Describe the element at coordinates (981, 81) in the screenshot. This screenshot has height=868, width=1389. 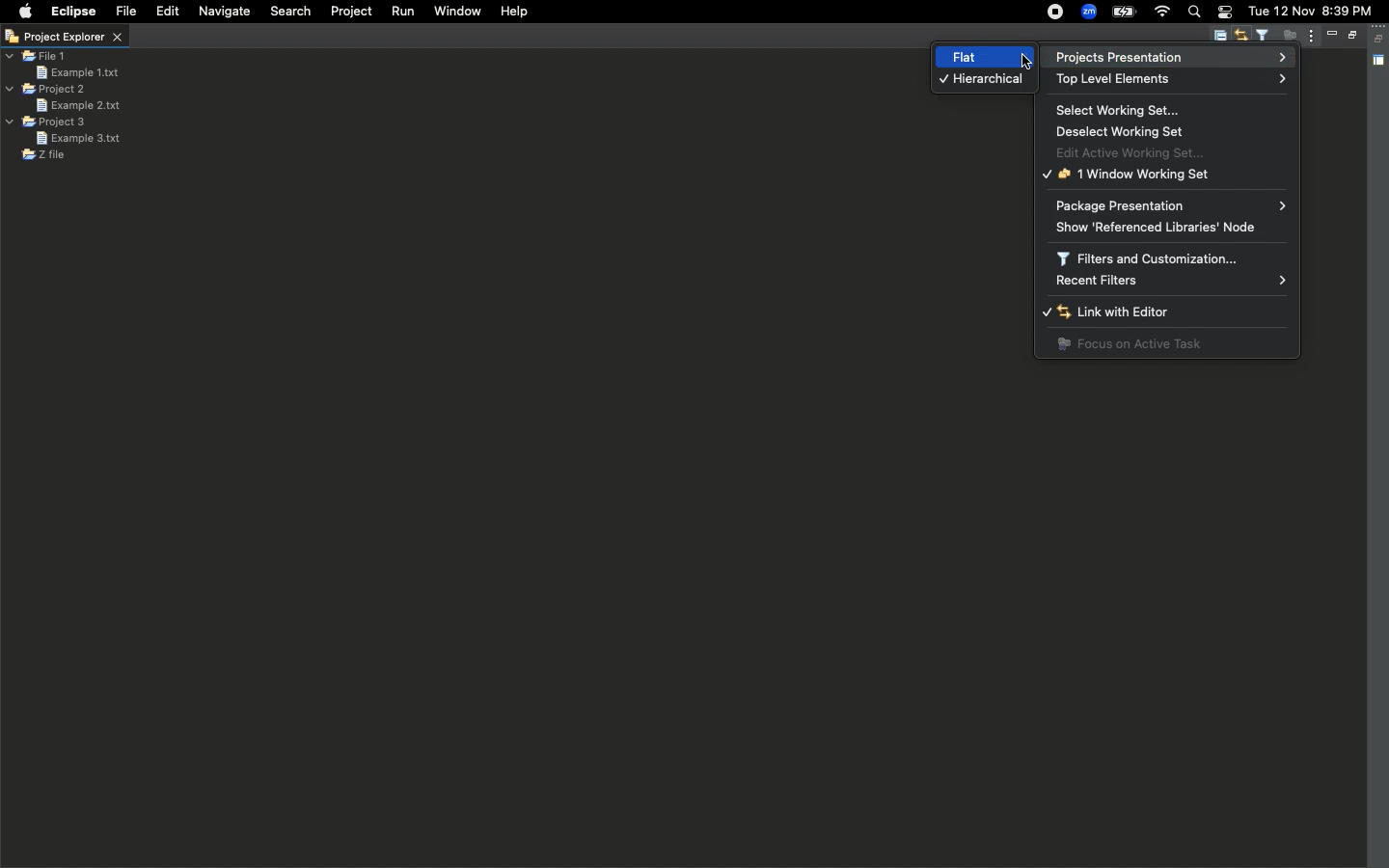
I see `Hierarchical` at that location.